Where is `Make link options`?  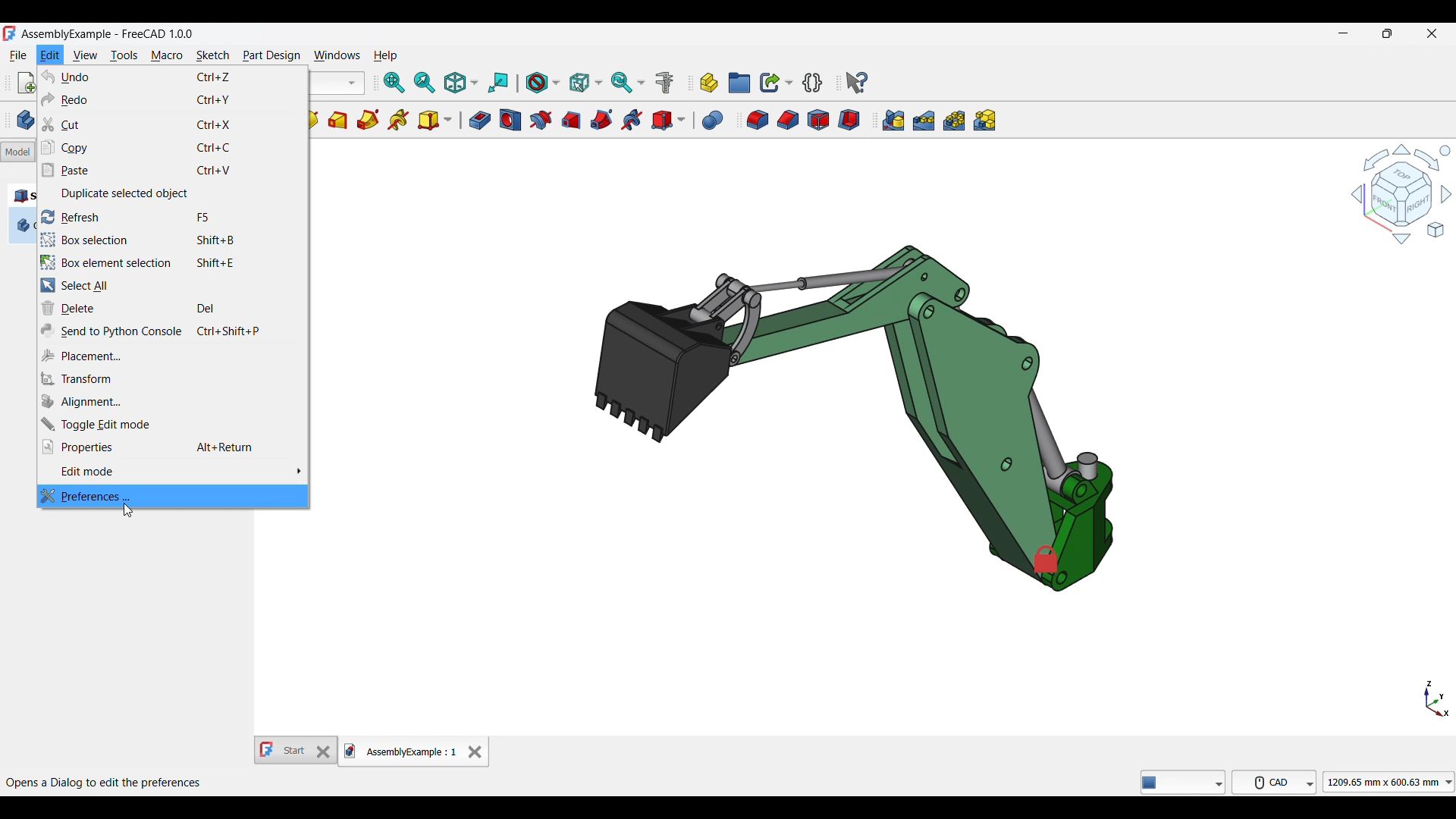
Make link options is located at coordinates (777, 83).